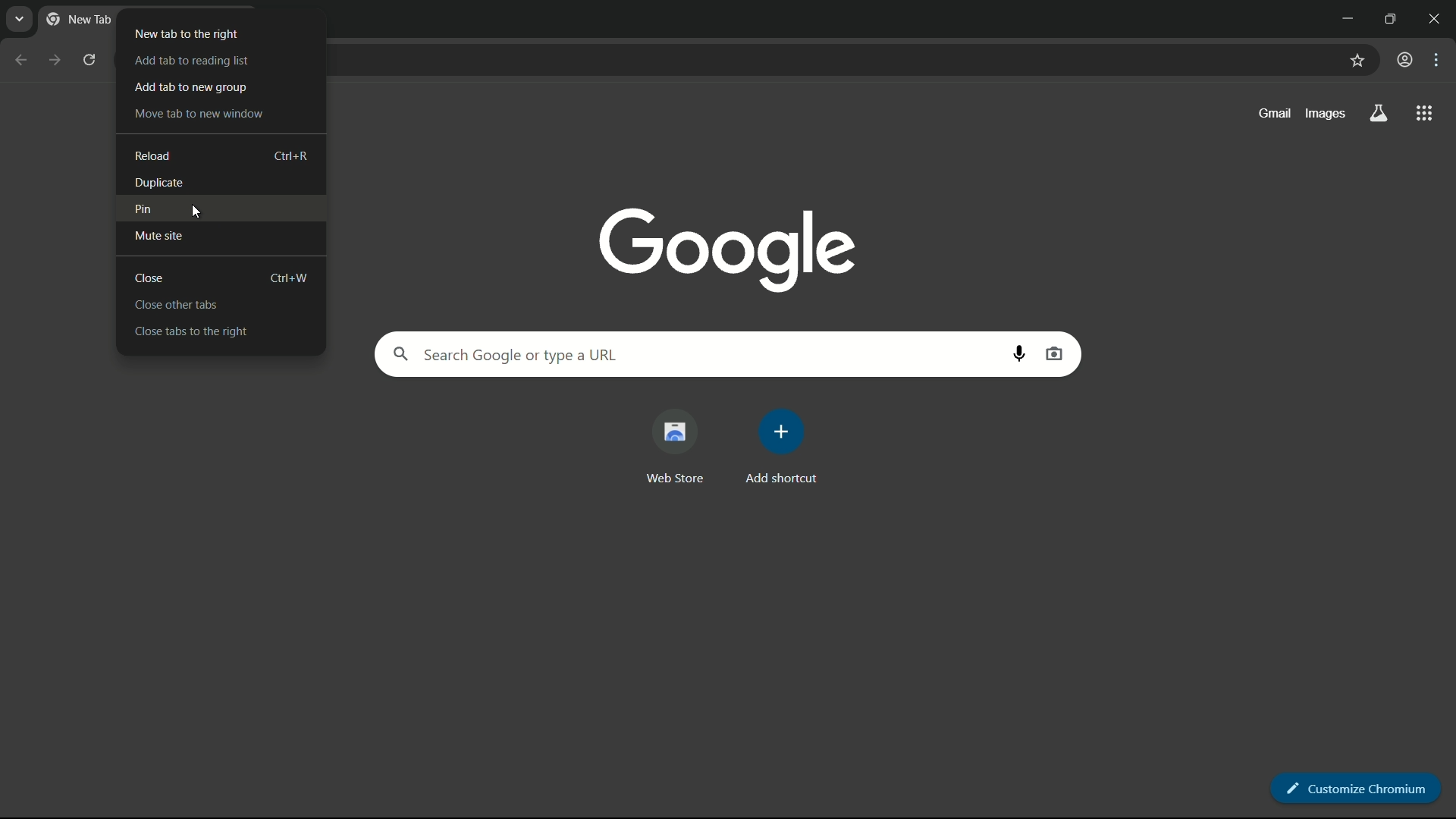 This screenshot has height=819, width=1456. What do you see at coordinates (290, 278) in the screenshot?
I see `Ctrl + W` at bounding box center [290, 278].